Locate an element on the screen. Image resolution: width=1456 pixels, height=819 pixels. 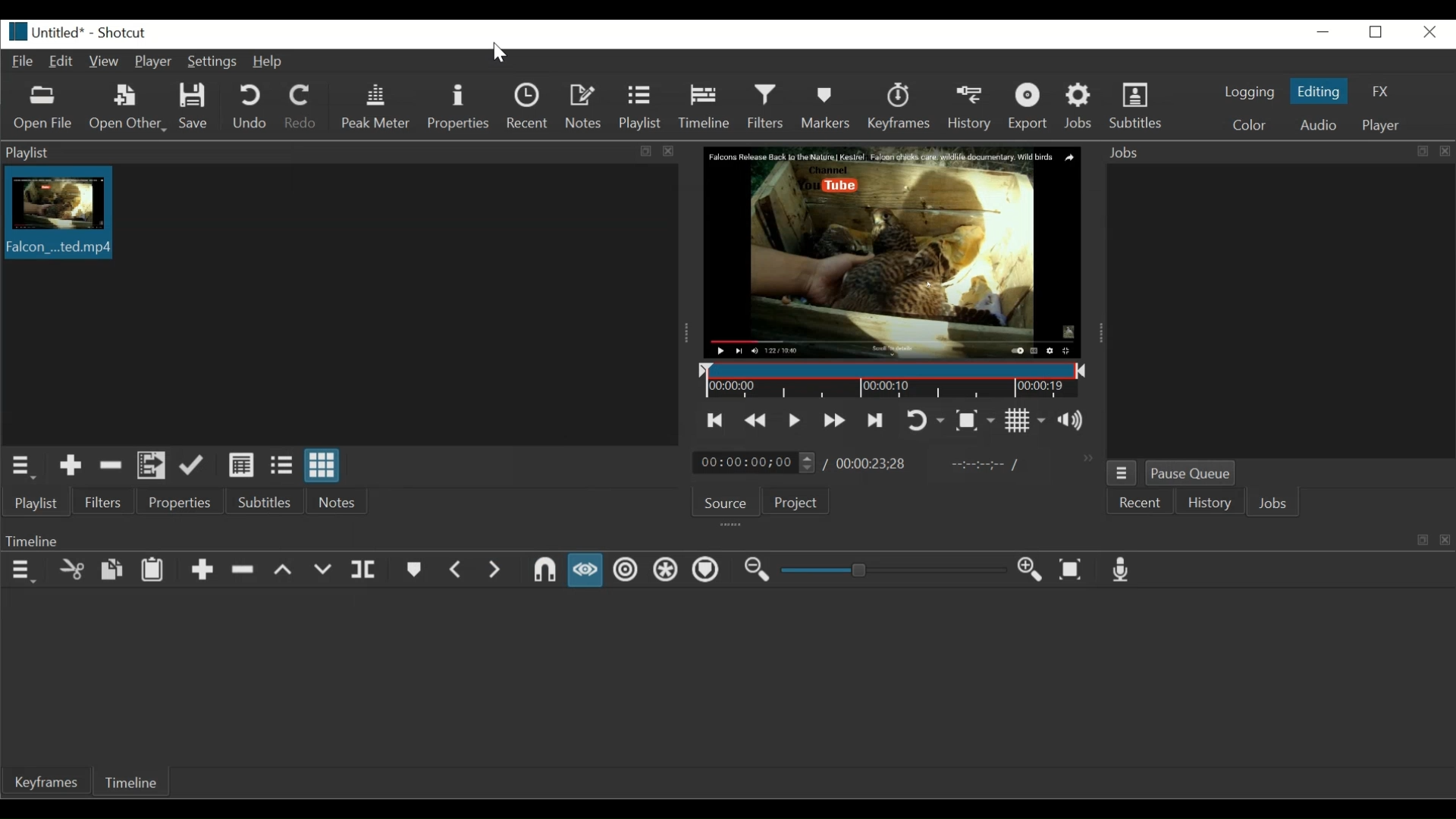
Source is located at coordinates (724, 500).